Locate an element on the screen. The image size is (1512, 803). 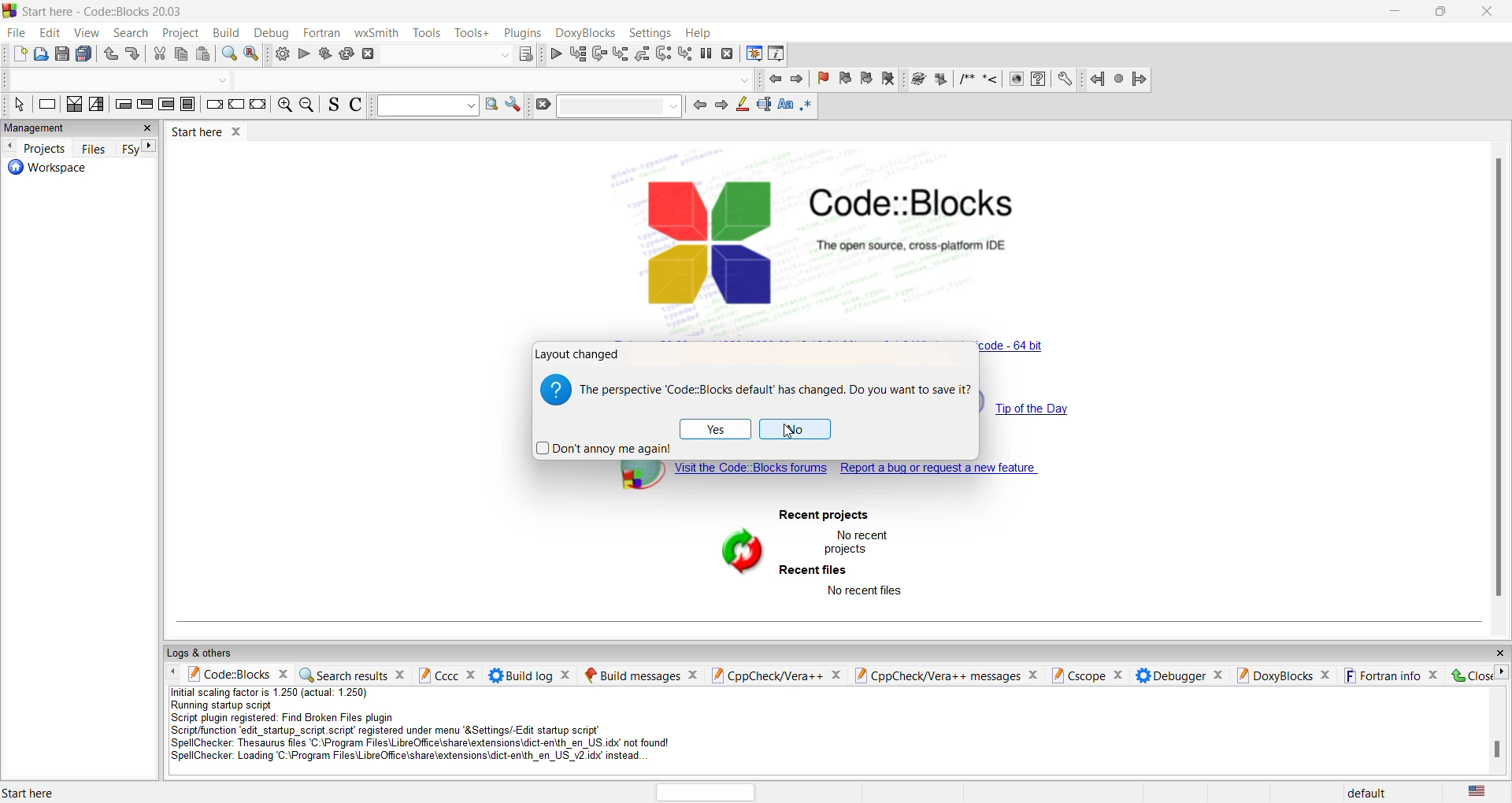
Various info is located at coordinates (779, 55).